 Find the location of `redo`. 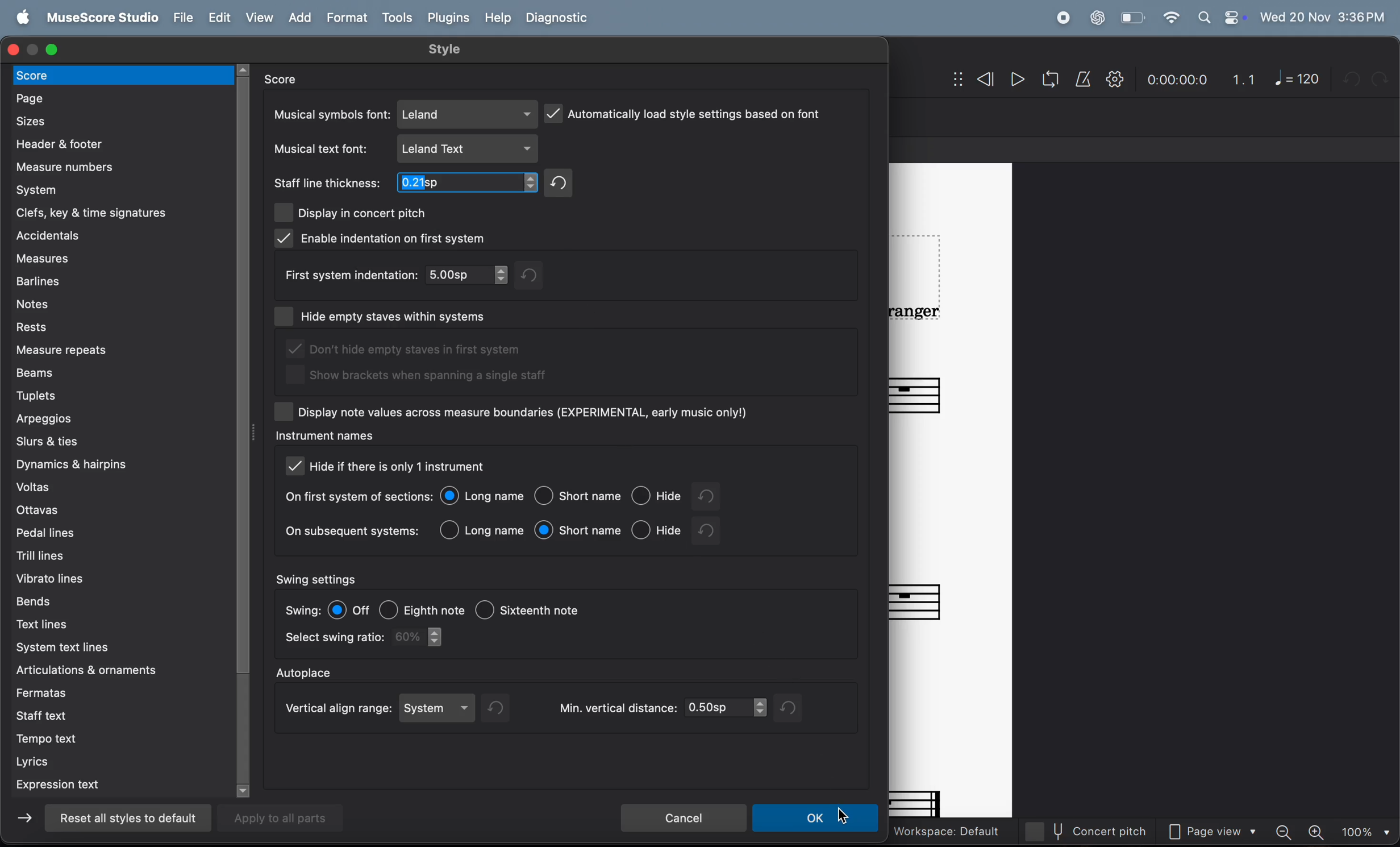

redo is located at coordinates (562, 182).